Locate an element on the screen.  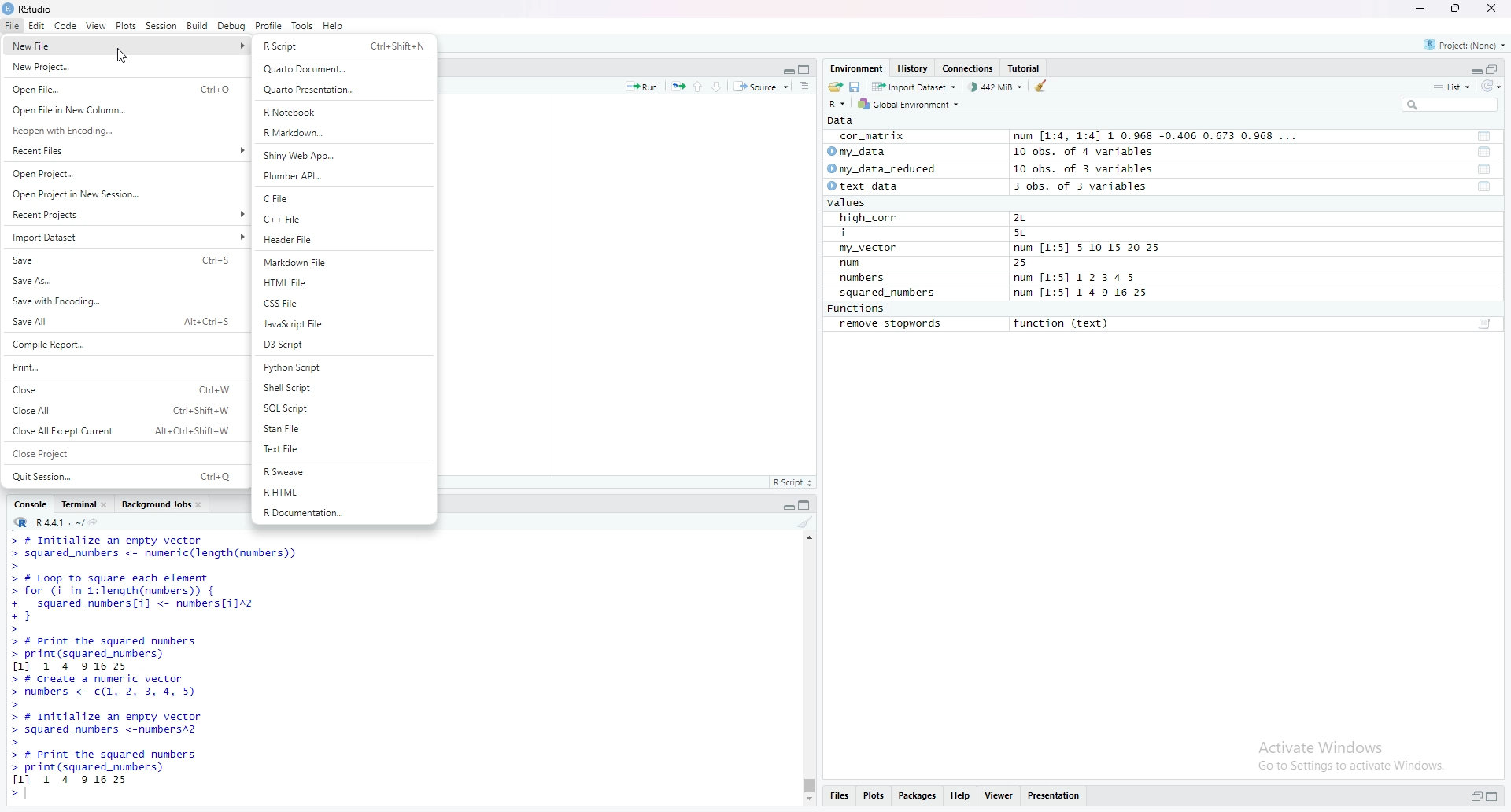
Tutorials is located at coordinates (1026, 67).